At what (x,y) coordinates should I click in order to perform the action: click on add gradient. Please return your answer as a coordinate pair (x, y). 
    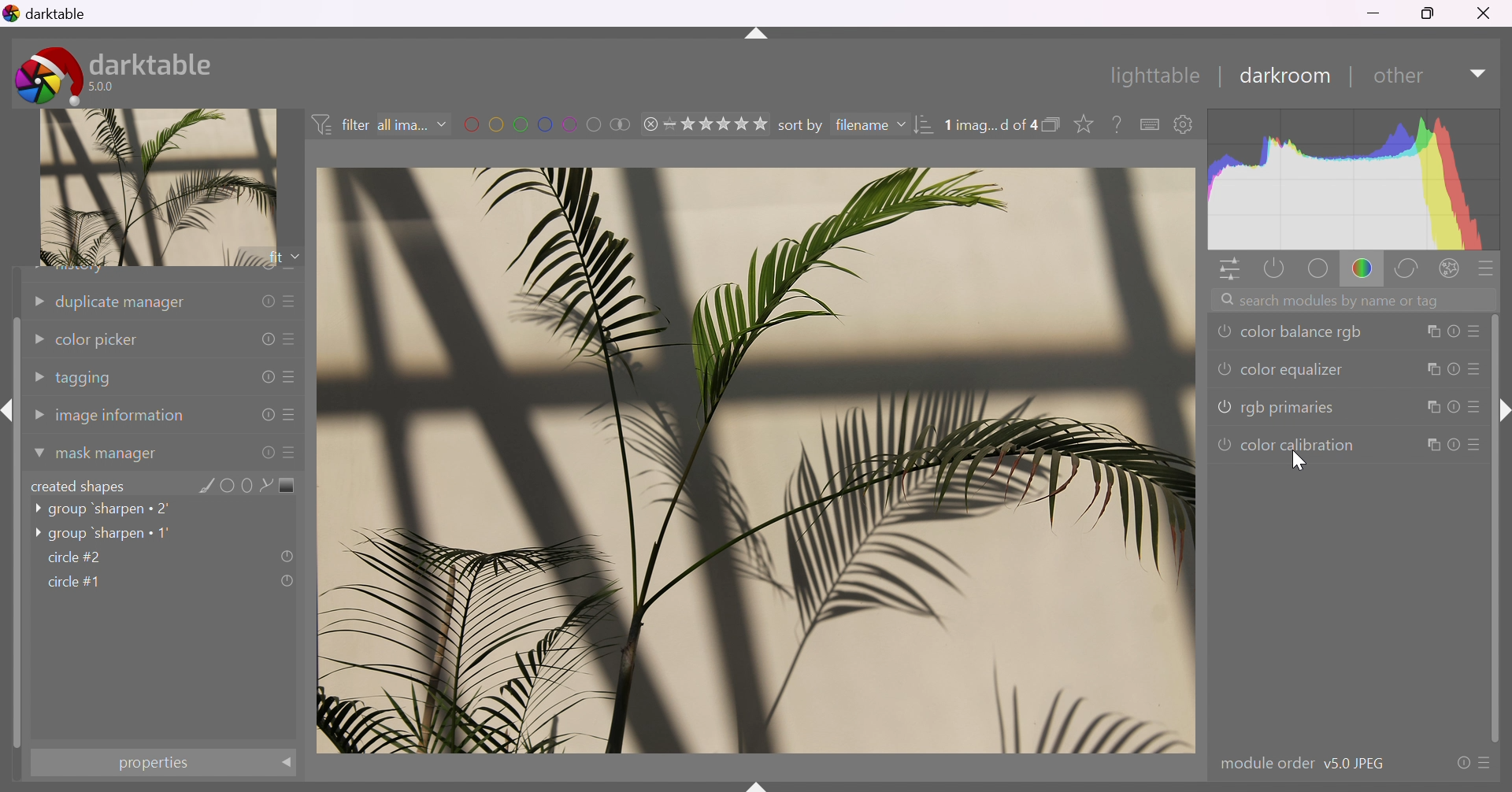
    Looking at the image, I should click on (291, 486).